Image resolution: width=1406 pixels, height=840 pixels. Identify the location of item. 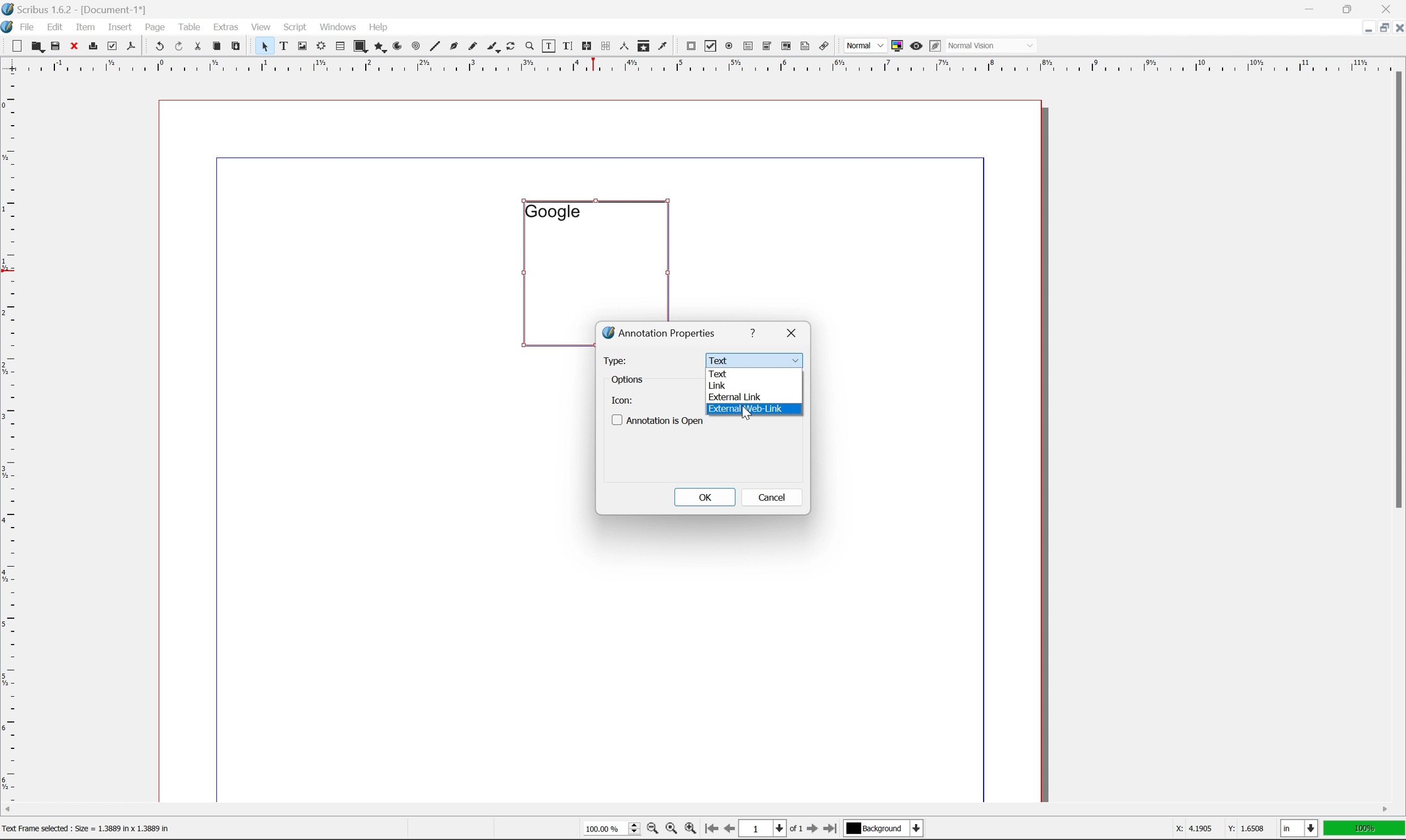
(88, 25).